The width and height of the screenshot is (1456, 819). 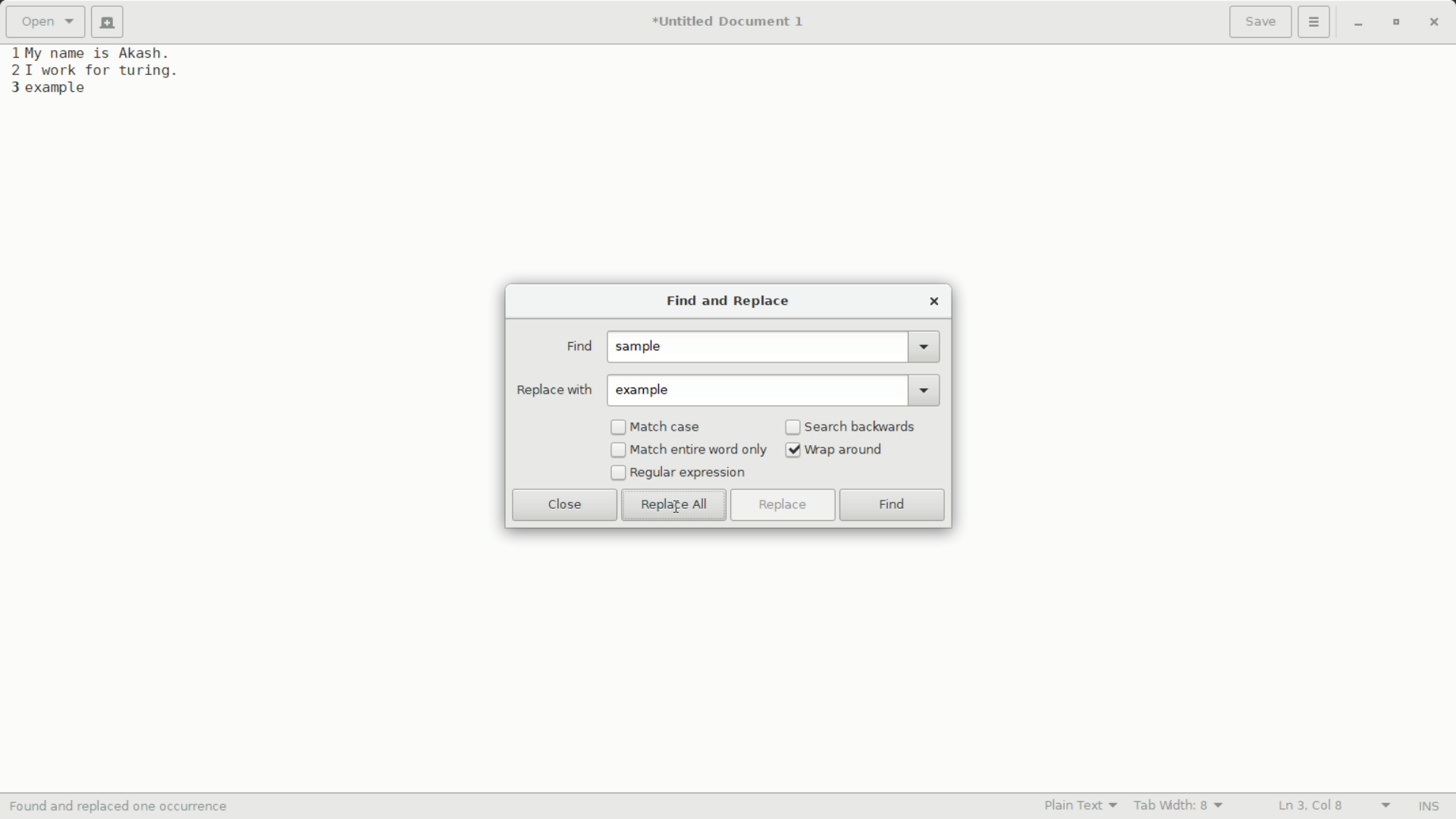 What do you see at coordinates (862, 426) in the screenshot?
I see `search backwards` at bounding box center [862, 426].